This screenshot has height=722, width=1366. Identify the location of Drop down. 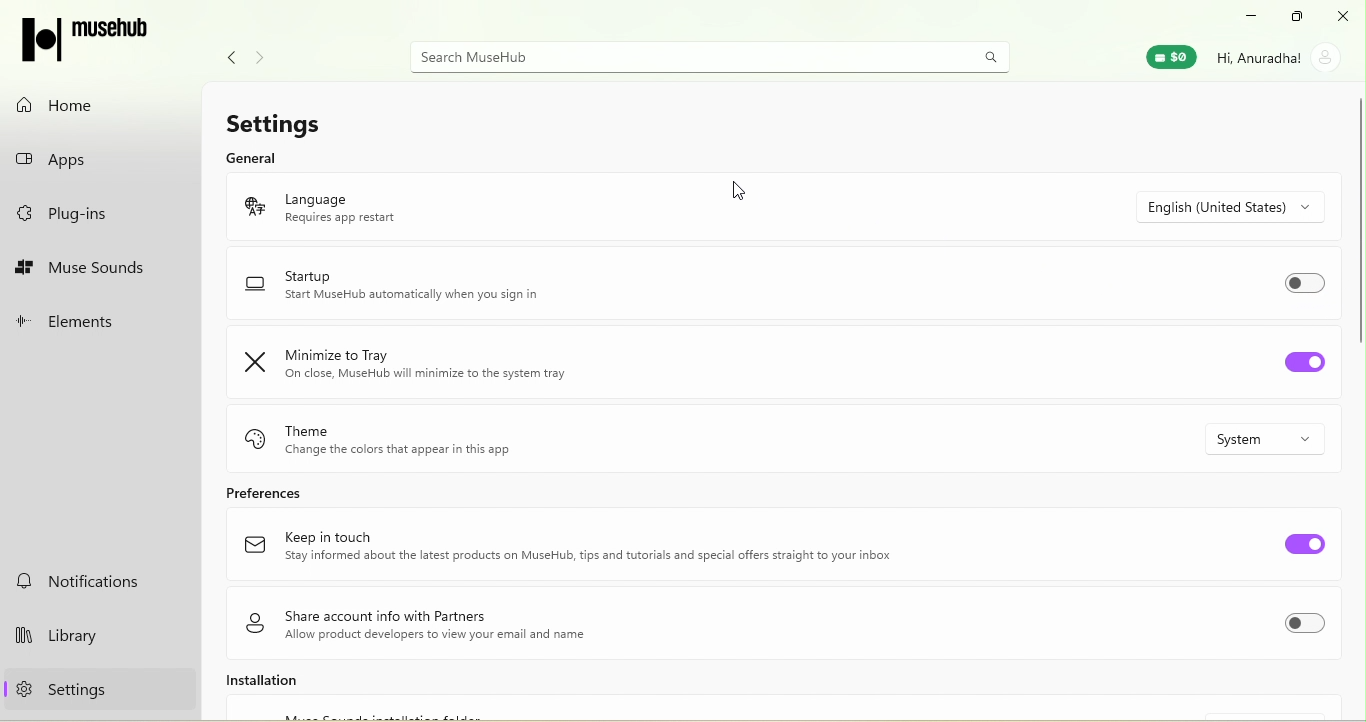
(1245, 206).